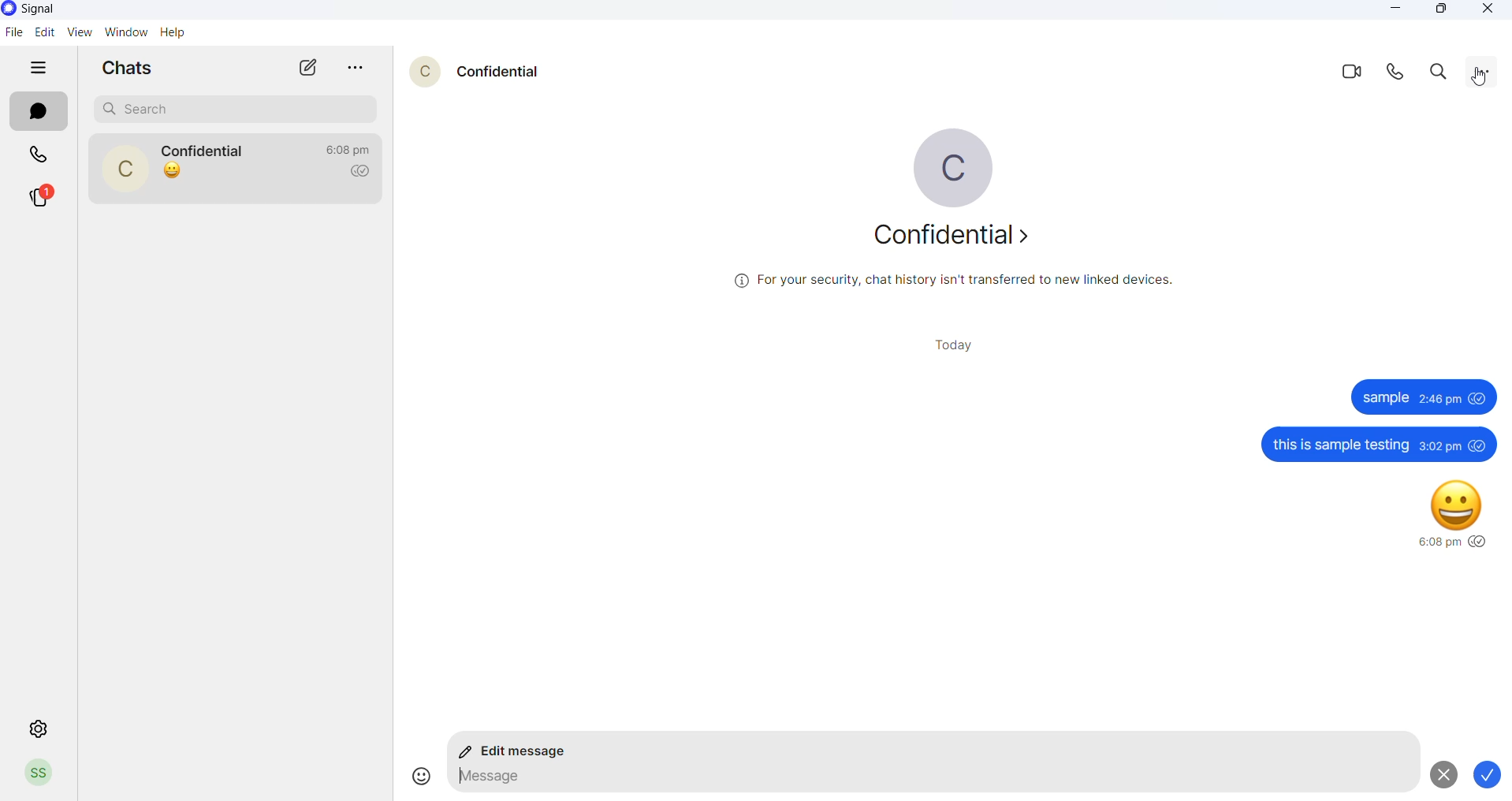 This screenshot has height=801, width=1512. I want to click on hide, so click(42, 68).